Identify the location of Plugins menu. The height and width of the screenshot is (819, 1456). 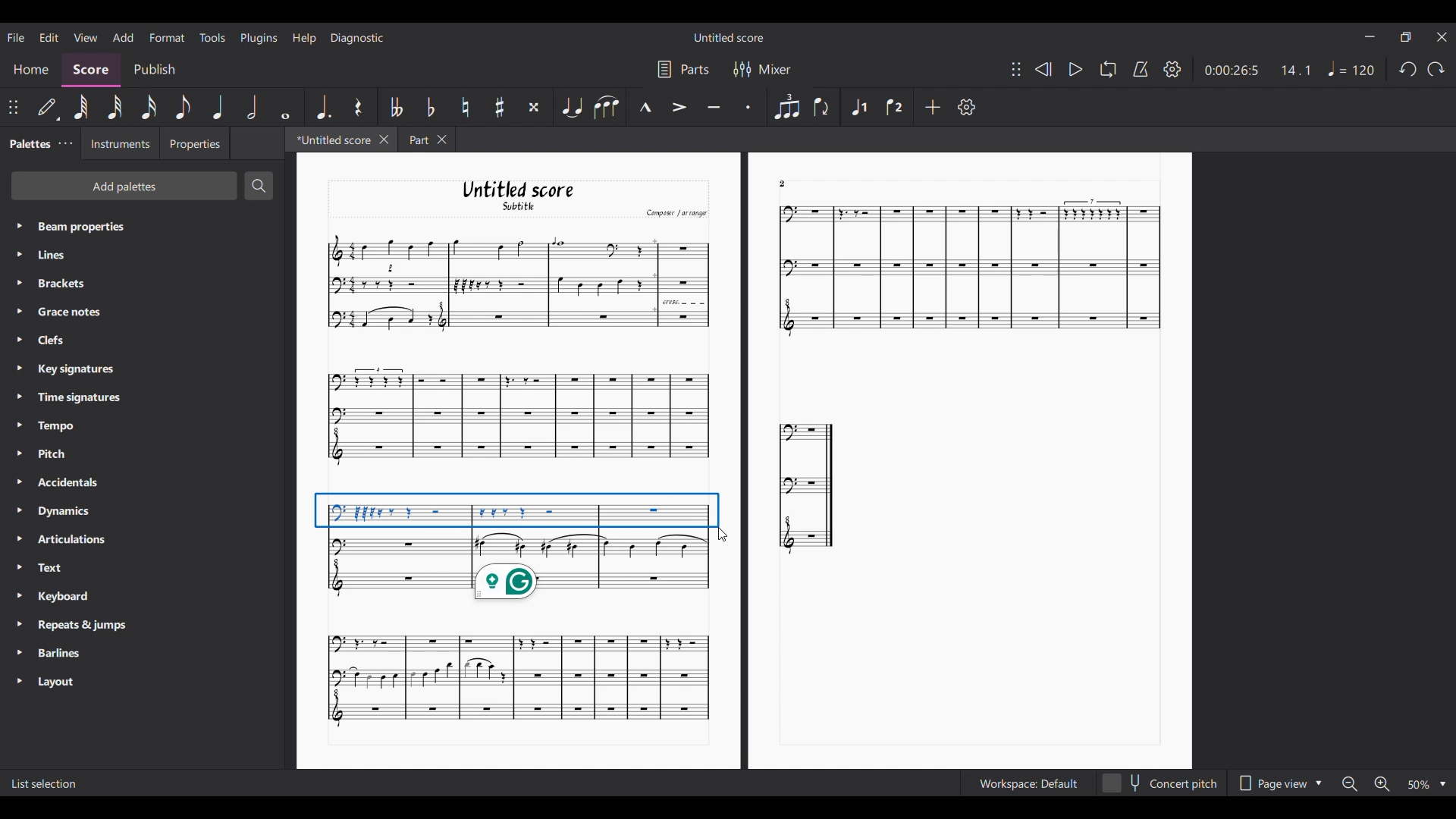
(259, 39).